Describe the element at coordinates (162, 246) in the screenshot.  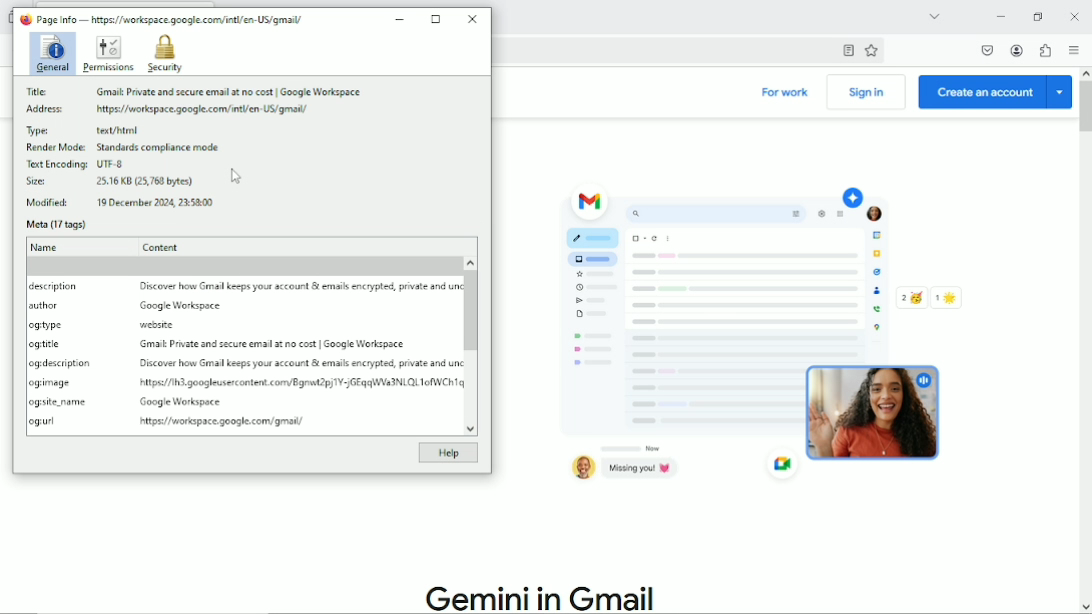
I see `Content` at that location.